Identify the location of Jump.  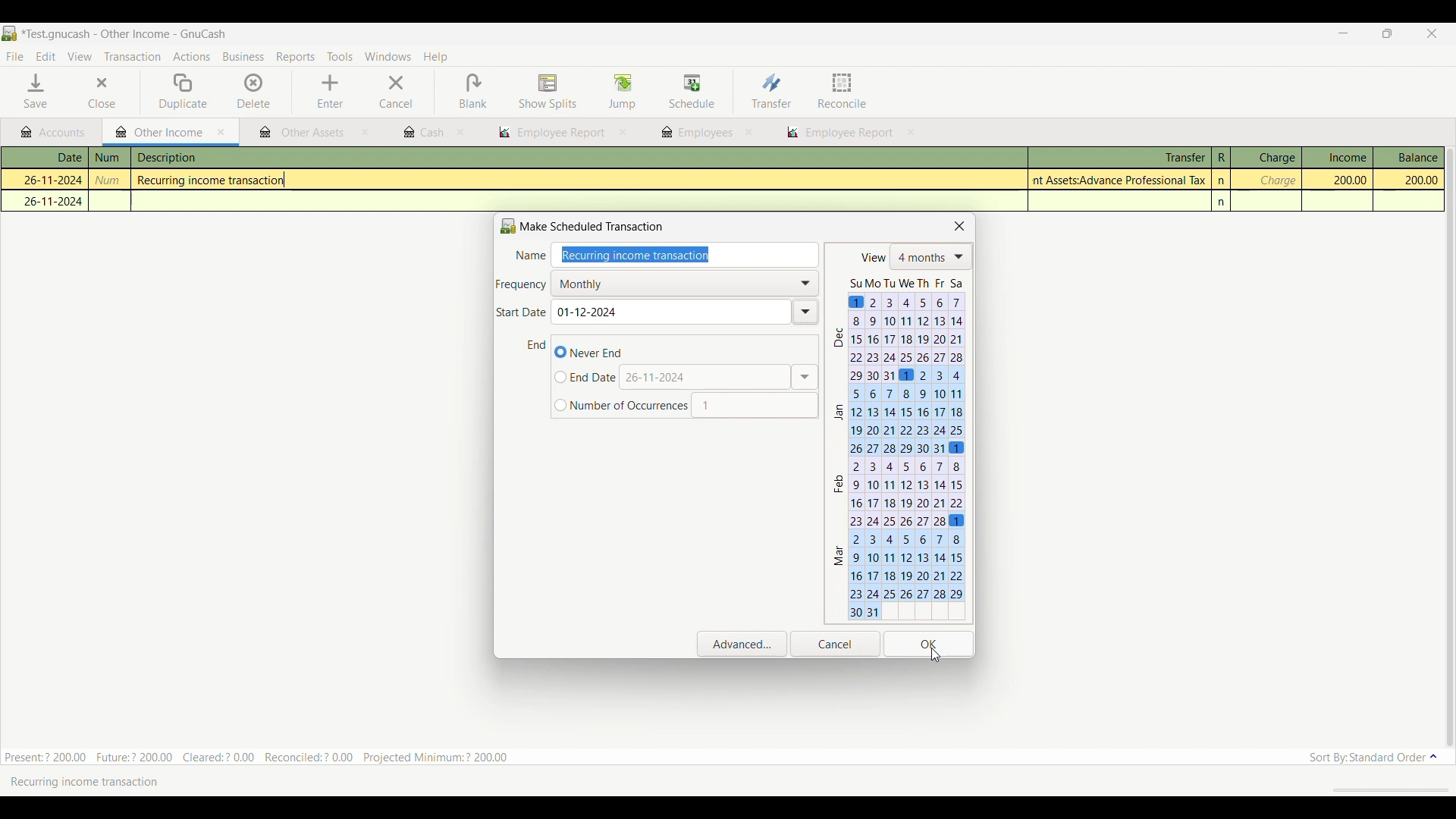
(622, 91).